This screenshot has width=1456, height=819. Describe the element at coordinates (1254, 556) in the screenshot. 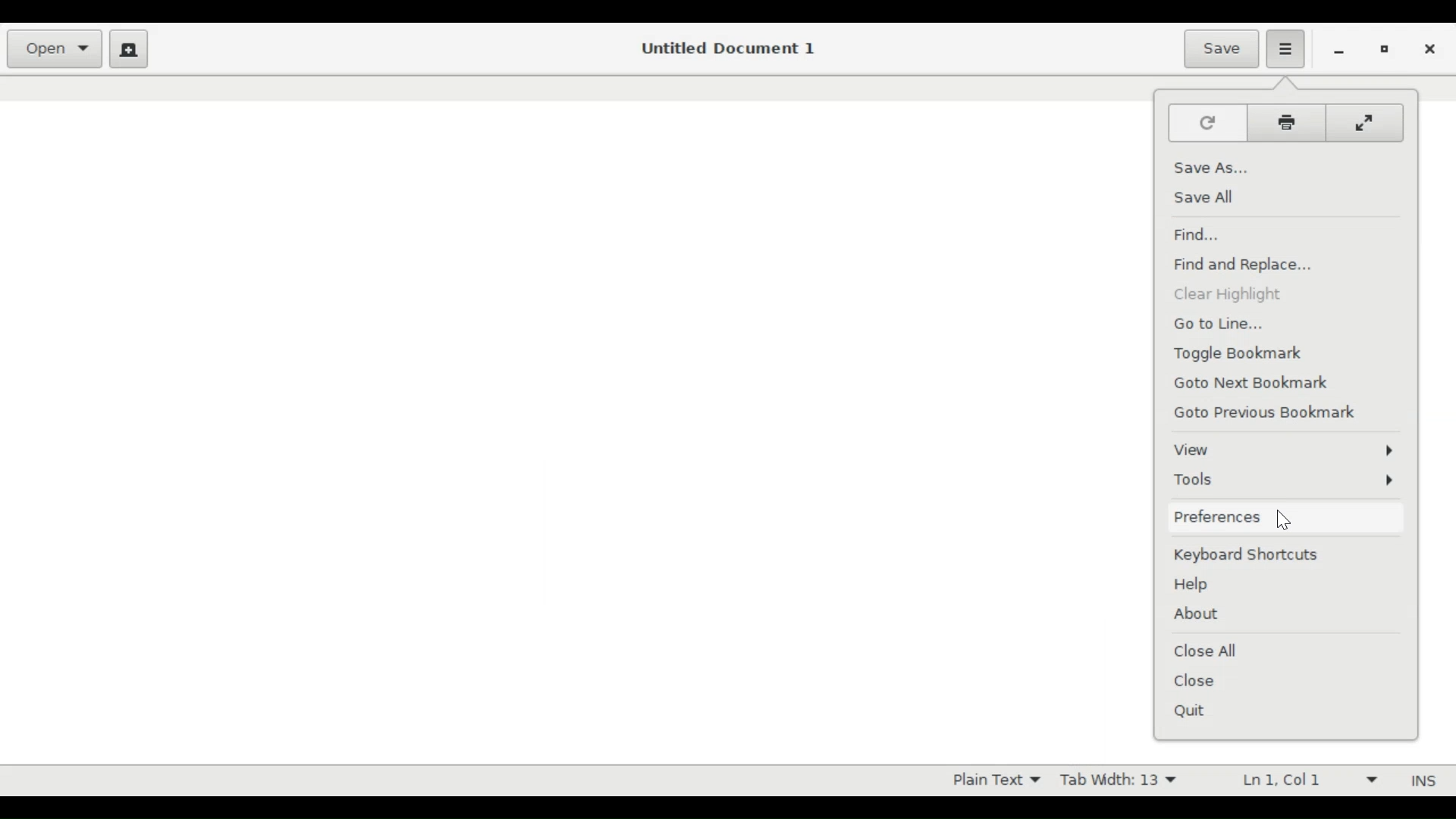

I see `Keyboard shortcuts` at that location.